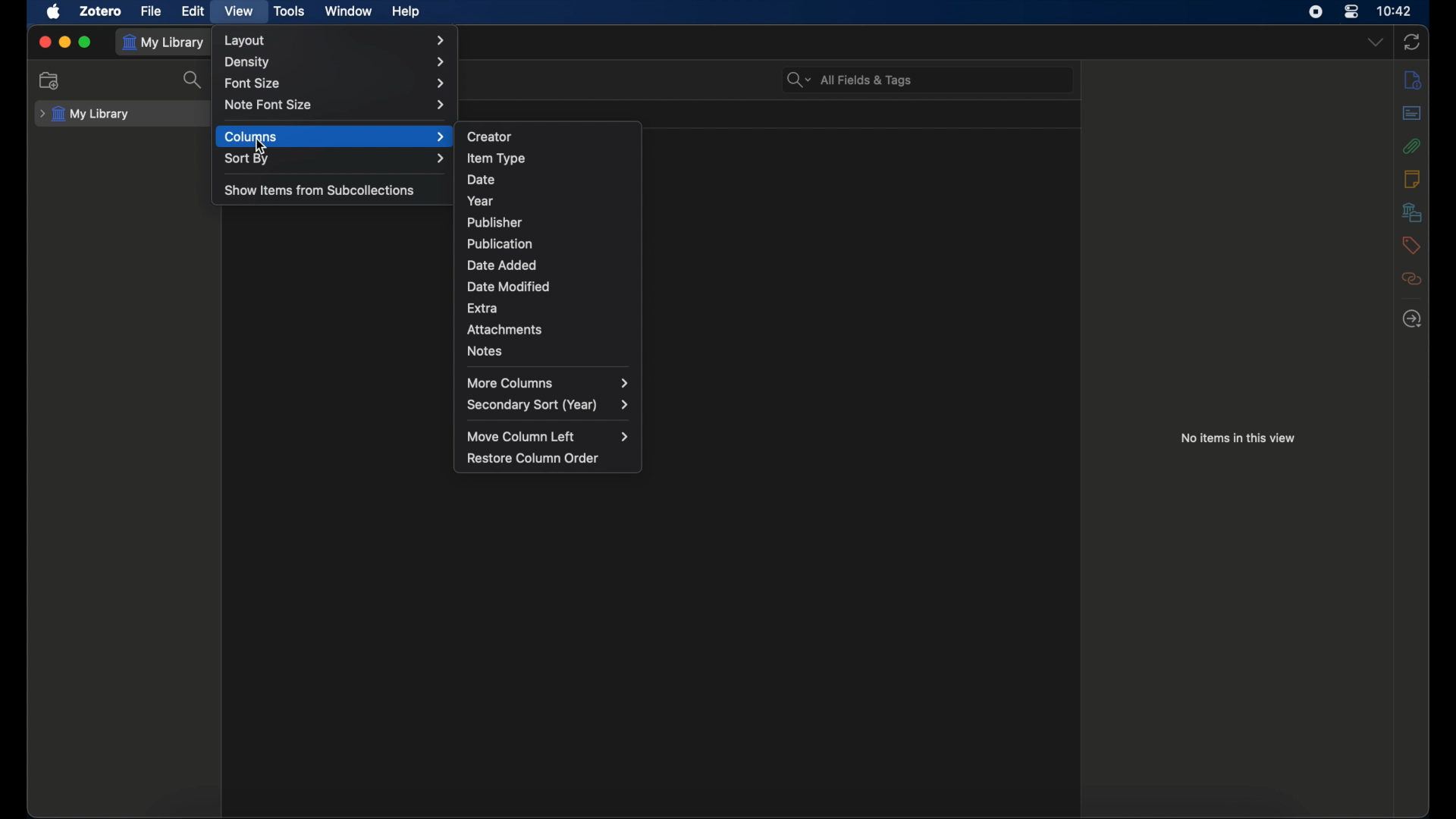  I want to click on date modified, so click(510, 286).